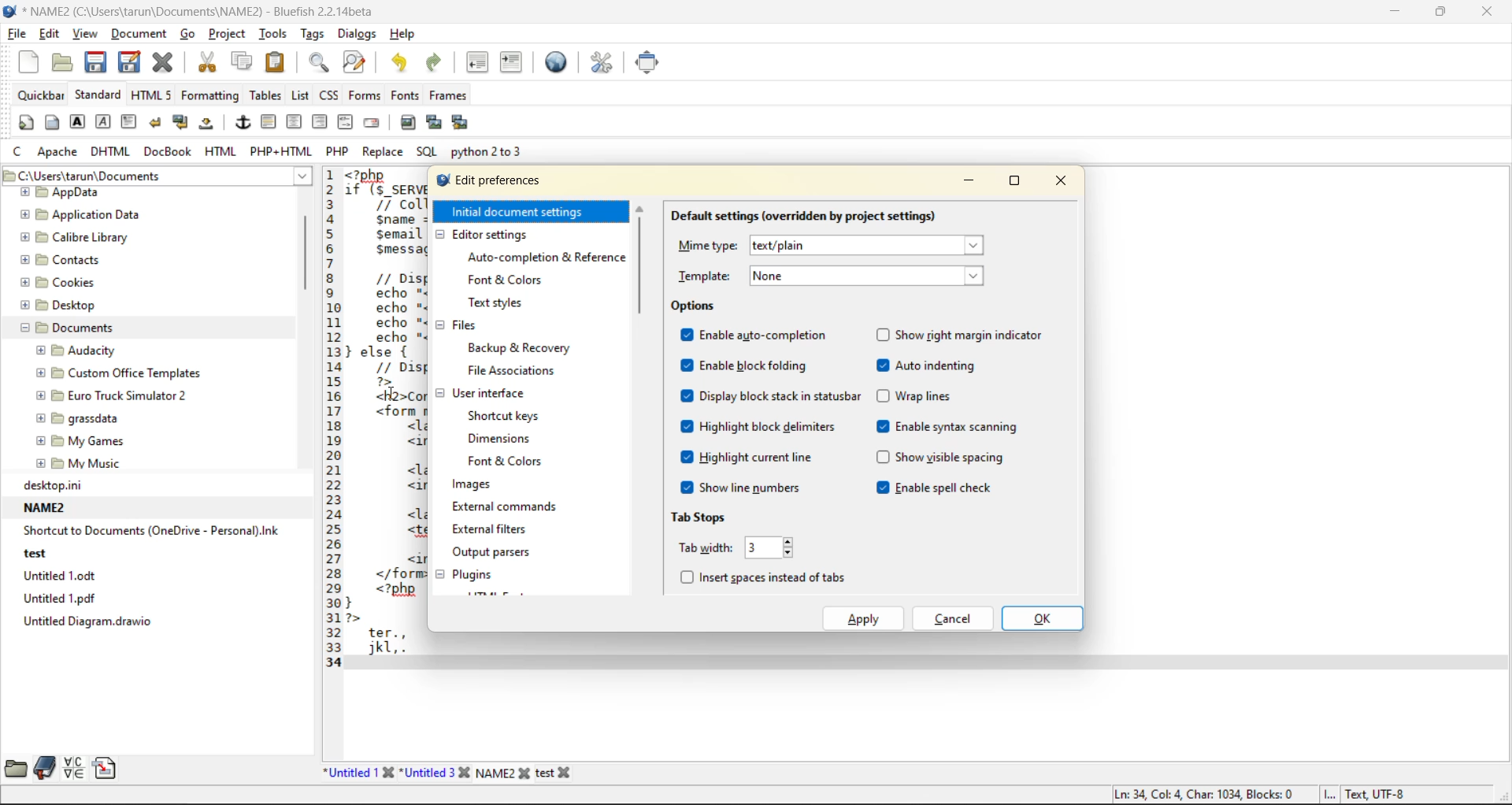 The height and width of the screenshot is (805, 1512). I want to click on php html, so click(282, 151).